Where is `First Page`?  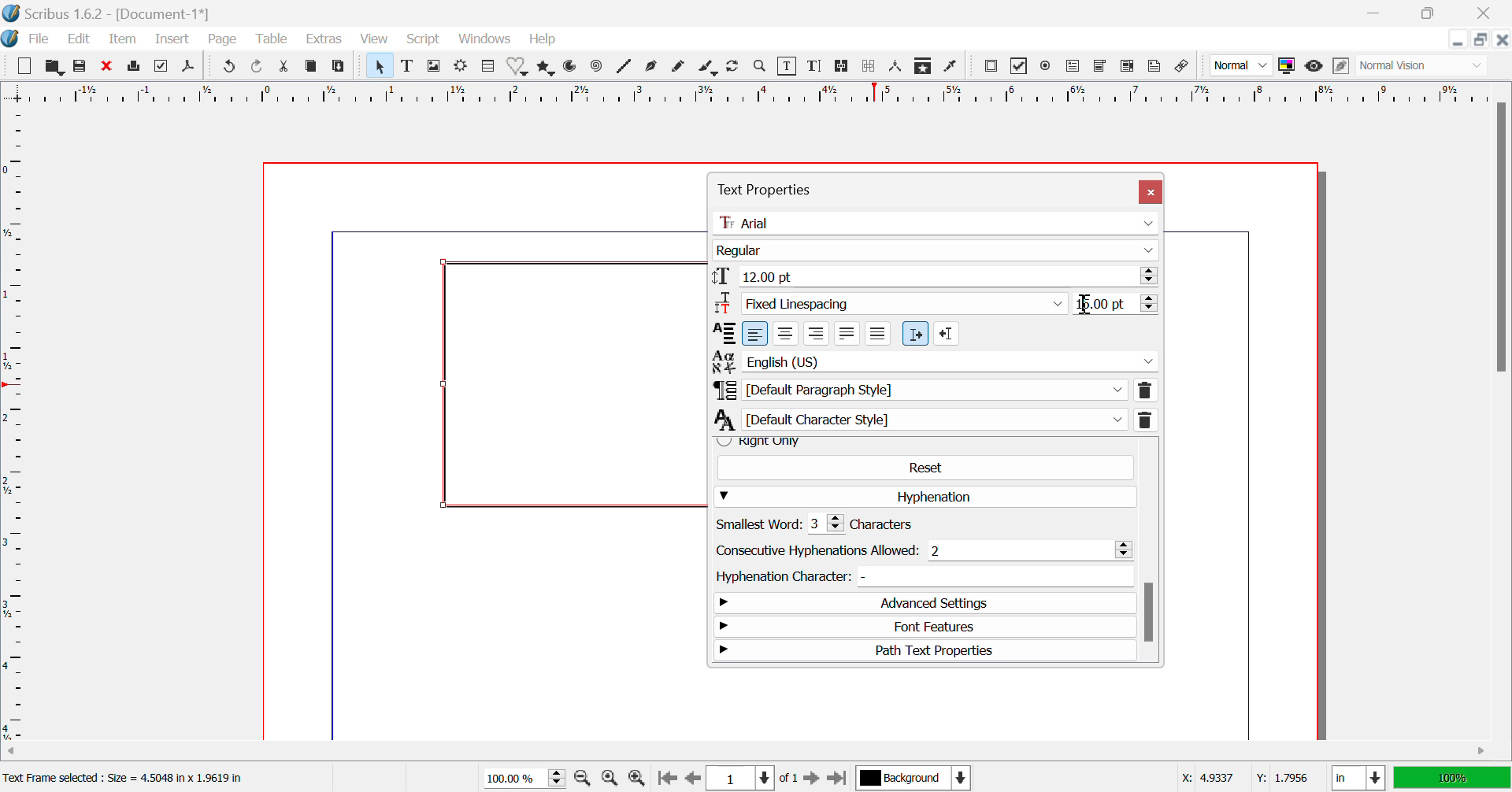 First Page is located at coordinates (666, 778).